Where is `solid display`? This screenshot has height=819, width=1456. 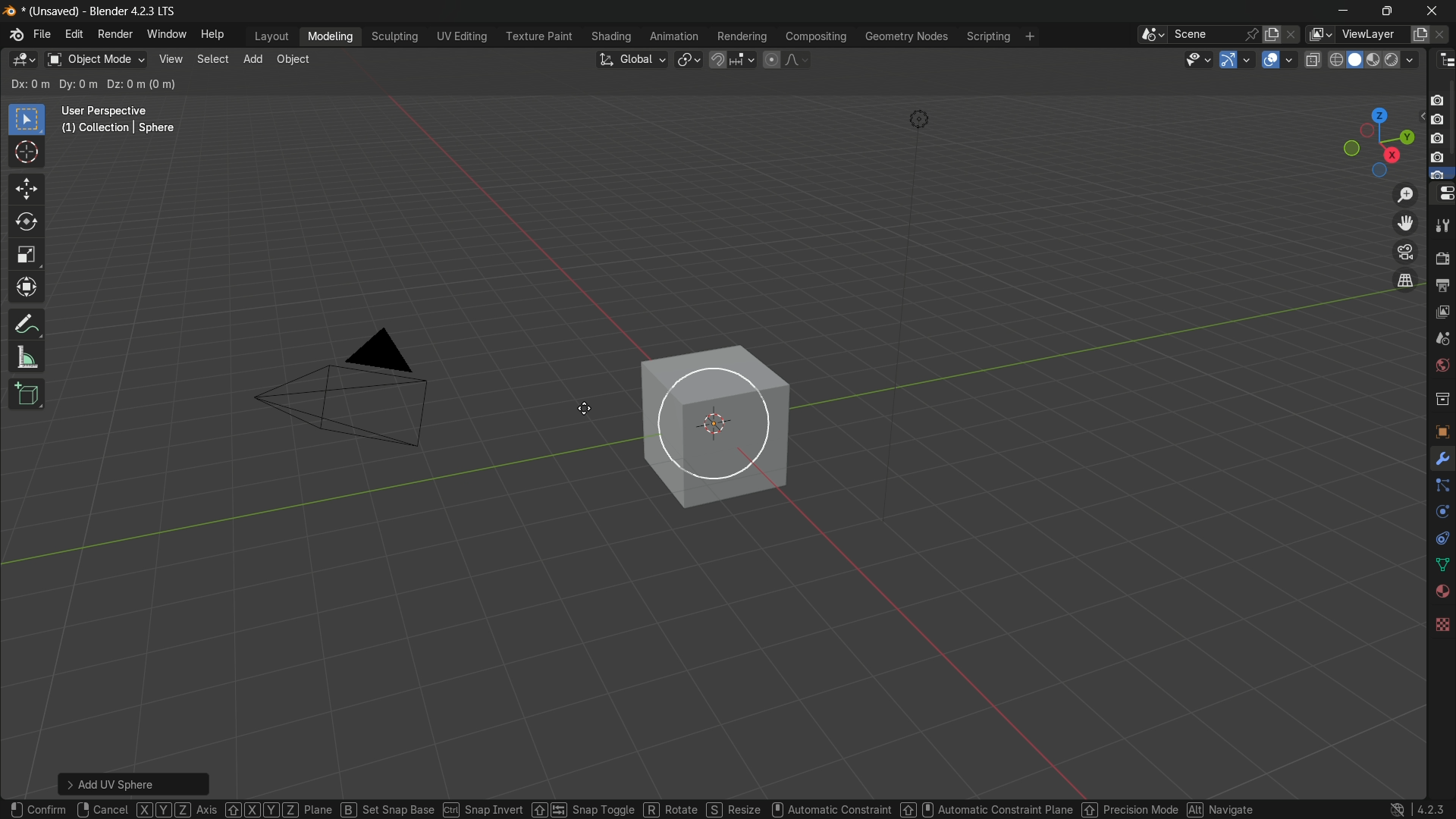 solid display is located at coordinates (1355, 59).